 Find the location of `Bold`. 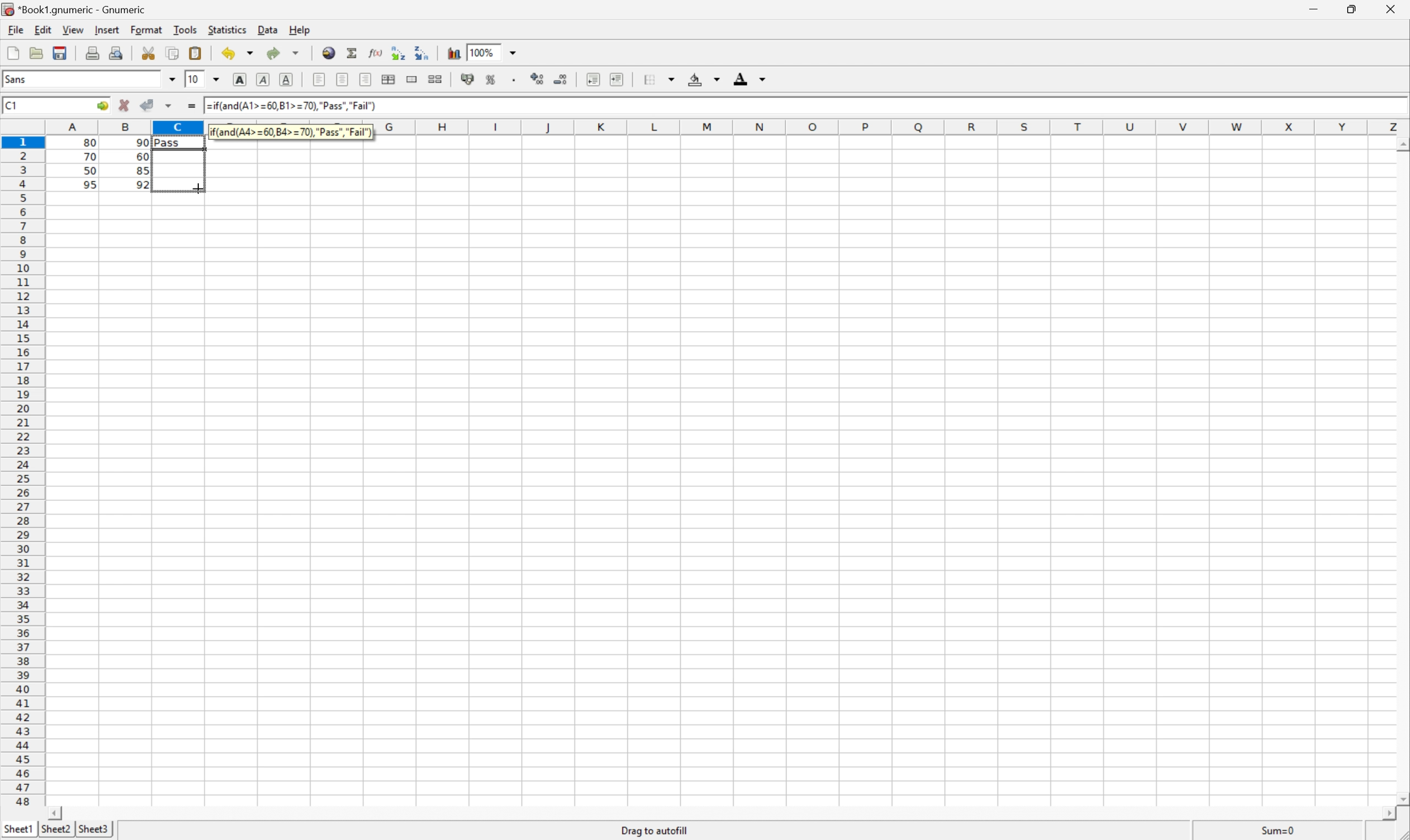

Bold is located at coordinates (240, 78).